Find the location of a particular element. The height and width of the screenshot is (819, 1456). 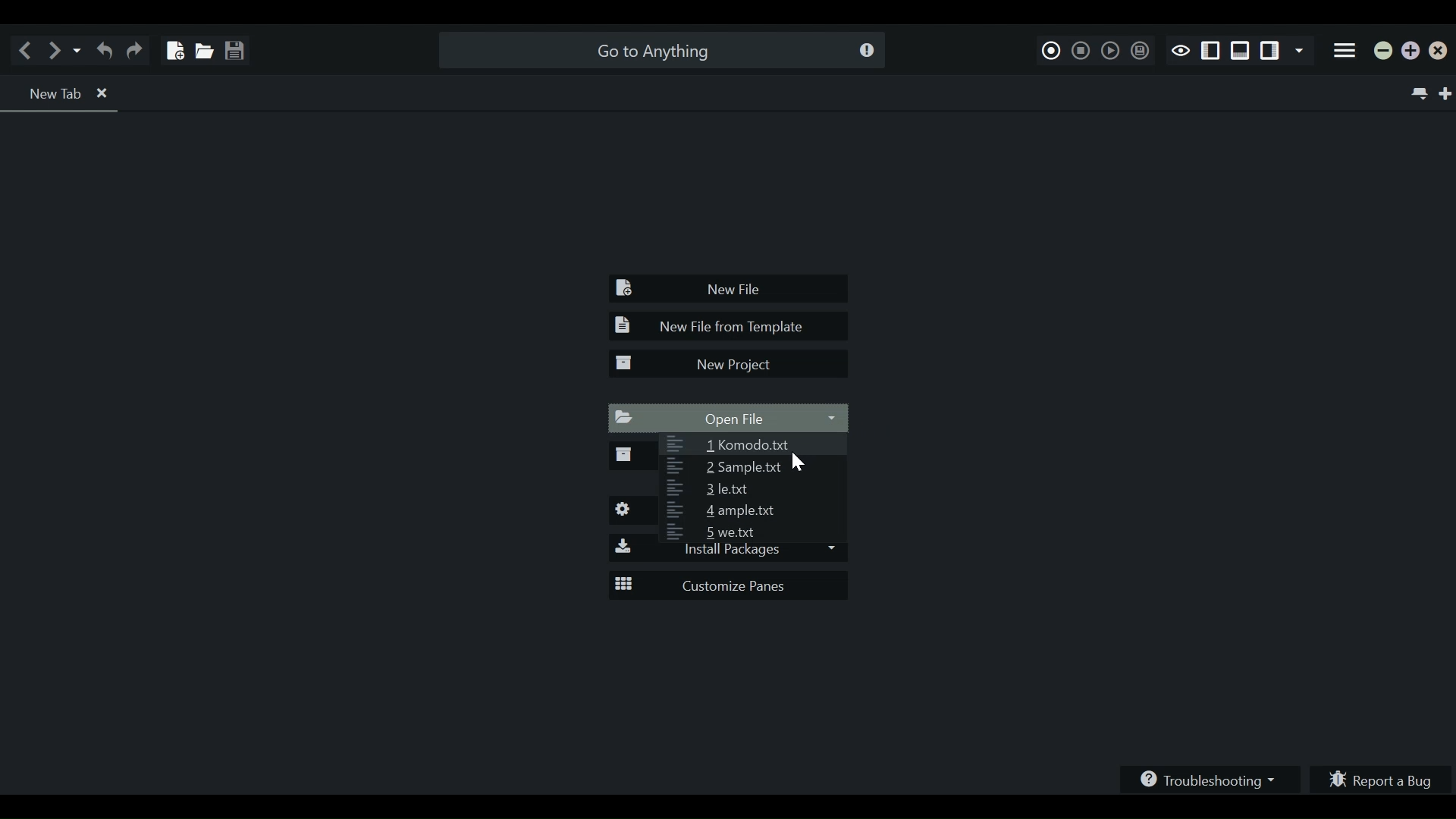

Undo is located at coordinates (104, 50).